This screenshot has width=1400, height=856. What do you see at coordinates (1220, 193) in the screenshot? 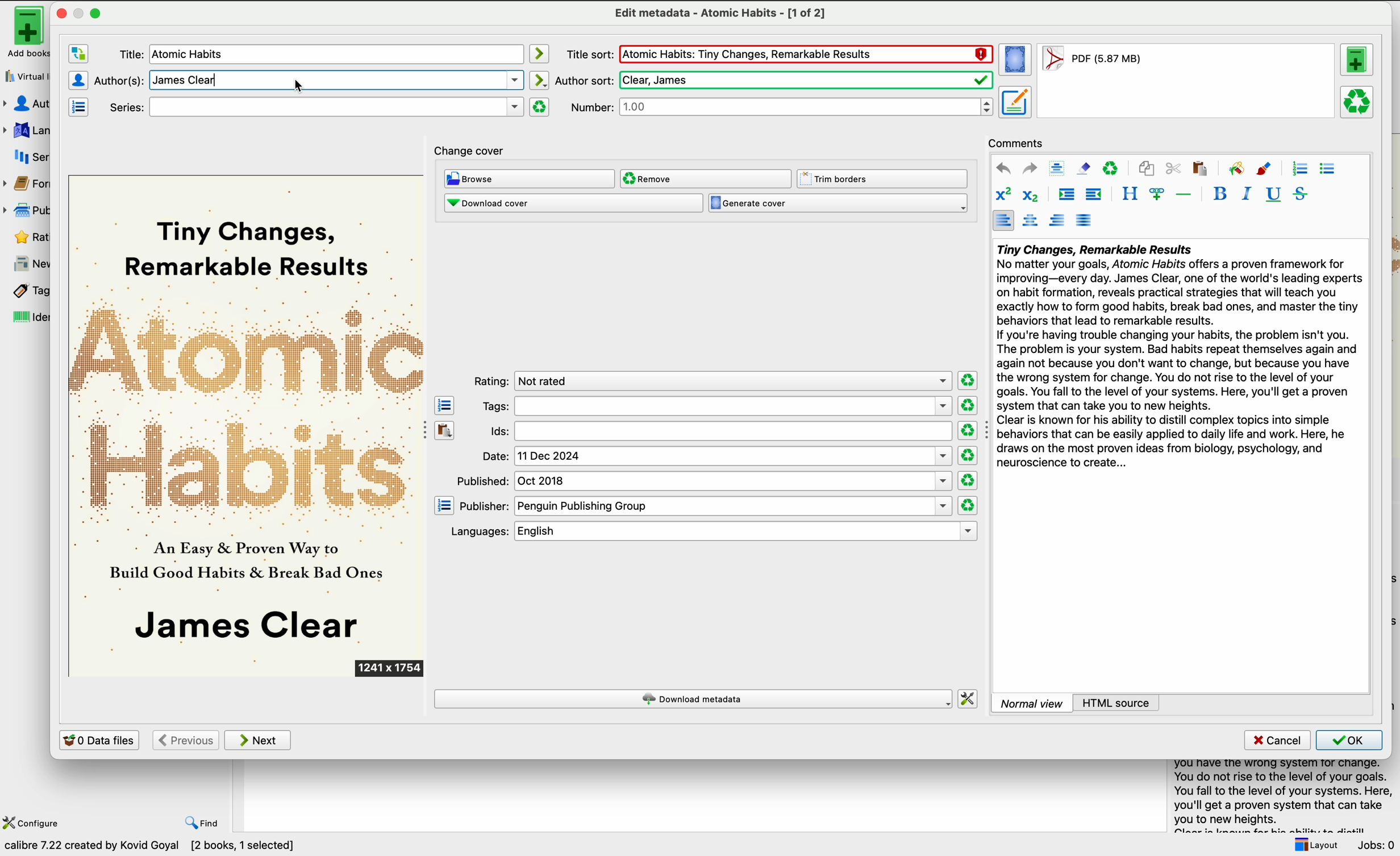
I see `bold` at bounding box center [1220, 193].